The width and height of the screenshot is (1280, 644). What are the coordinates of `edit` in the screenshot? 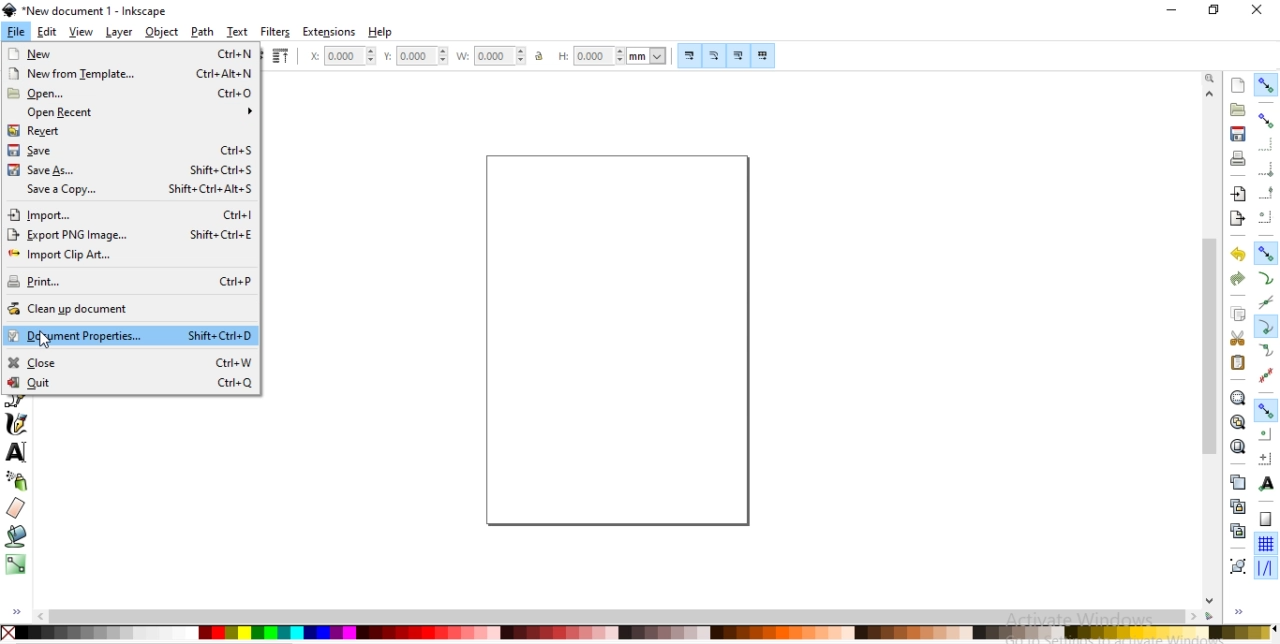 It's located at (46, 32).